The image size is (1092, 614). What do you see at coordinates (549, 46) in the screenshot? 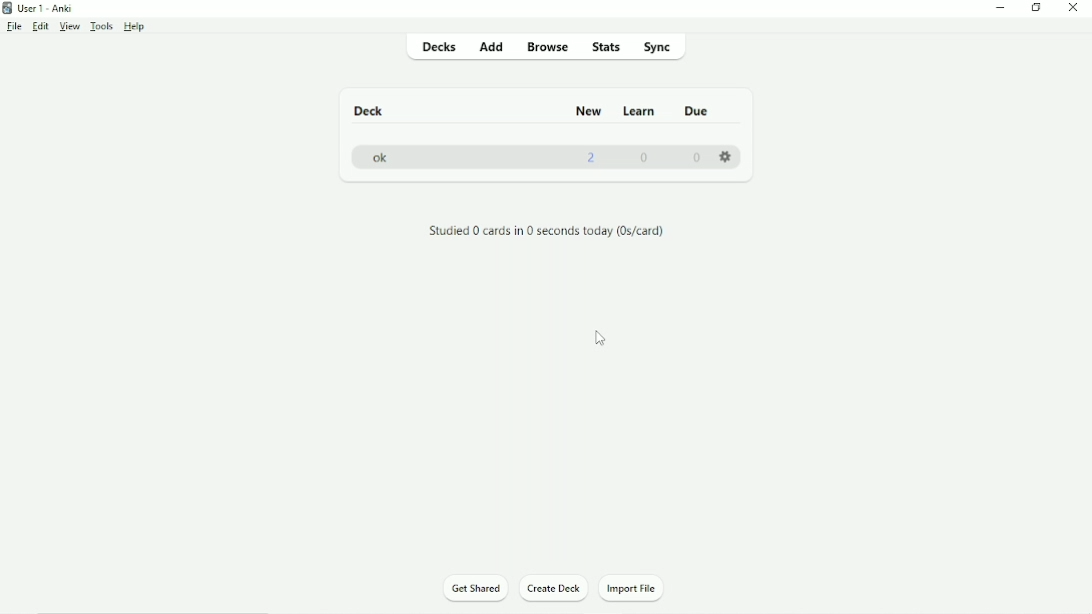
I see `Browse` at bounding box center [549, 46].